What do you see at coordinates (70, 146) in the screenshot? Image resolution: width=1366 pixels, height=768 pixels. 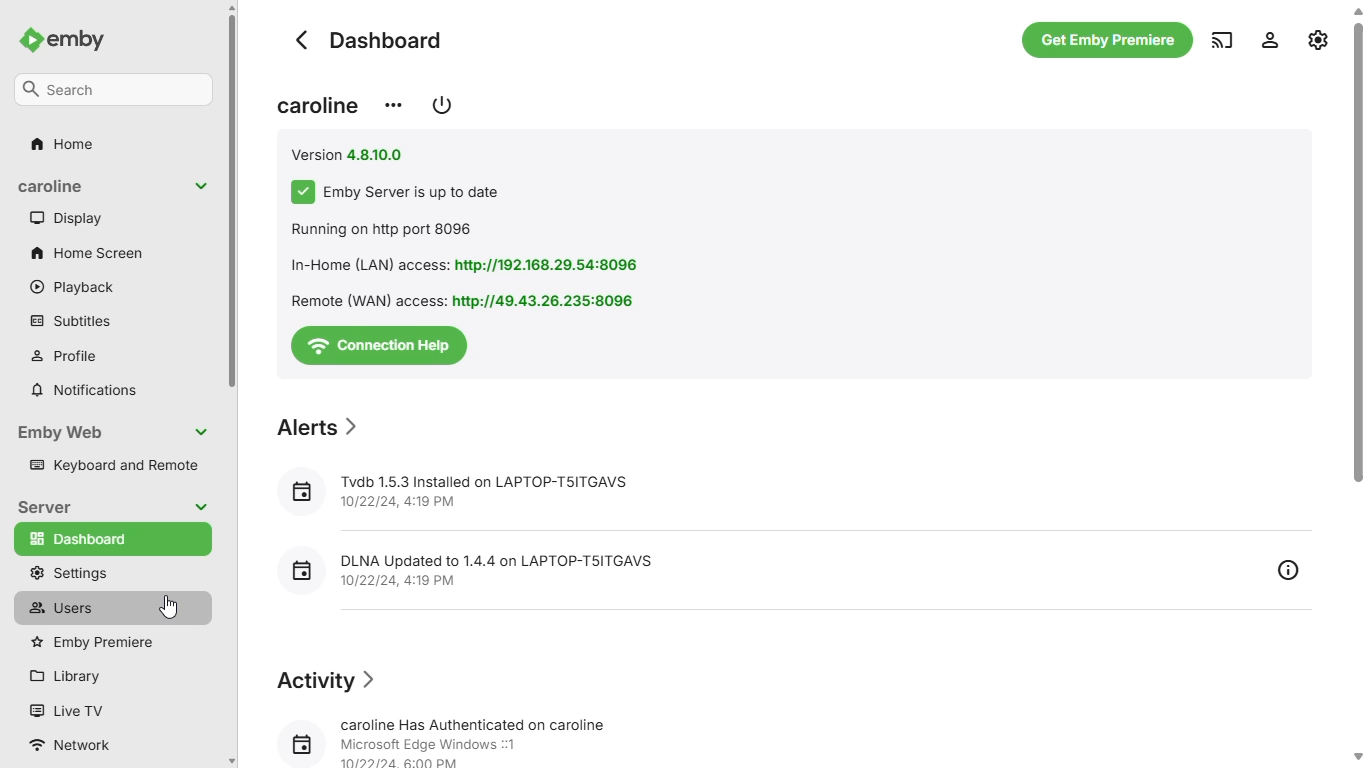 I see `home` at bounding box center [70, 146].